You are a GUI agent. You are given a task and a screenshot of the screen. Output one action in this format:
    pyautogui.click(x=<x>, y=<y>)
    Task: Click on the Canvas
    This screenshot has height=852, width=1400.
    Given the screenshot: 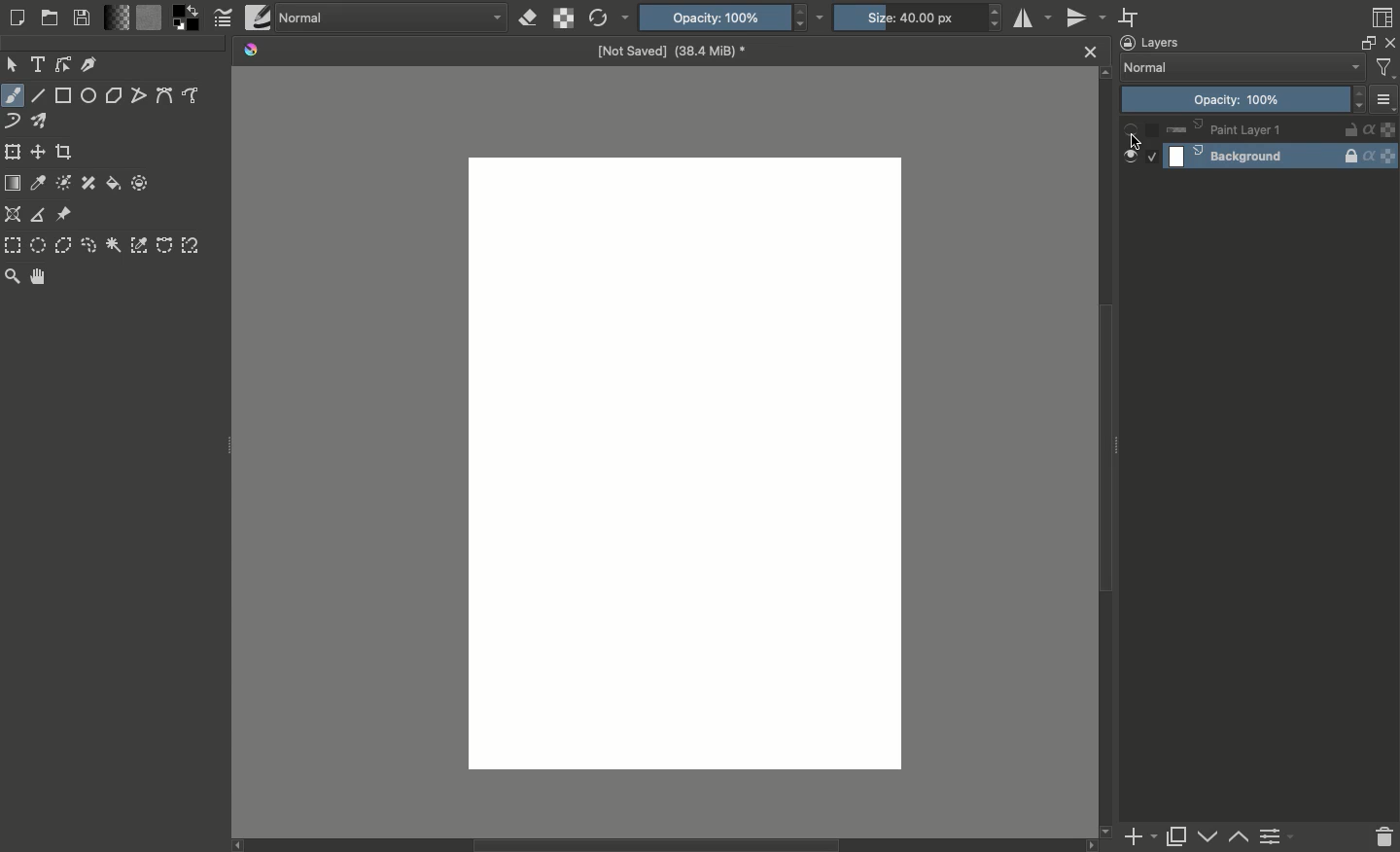 What is the action you would take?
    pyautogui.click(x=687, y=463)
    